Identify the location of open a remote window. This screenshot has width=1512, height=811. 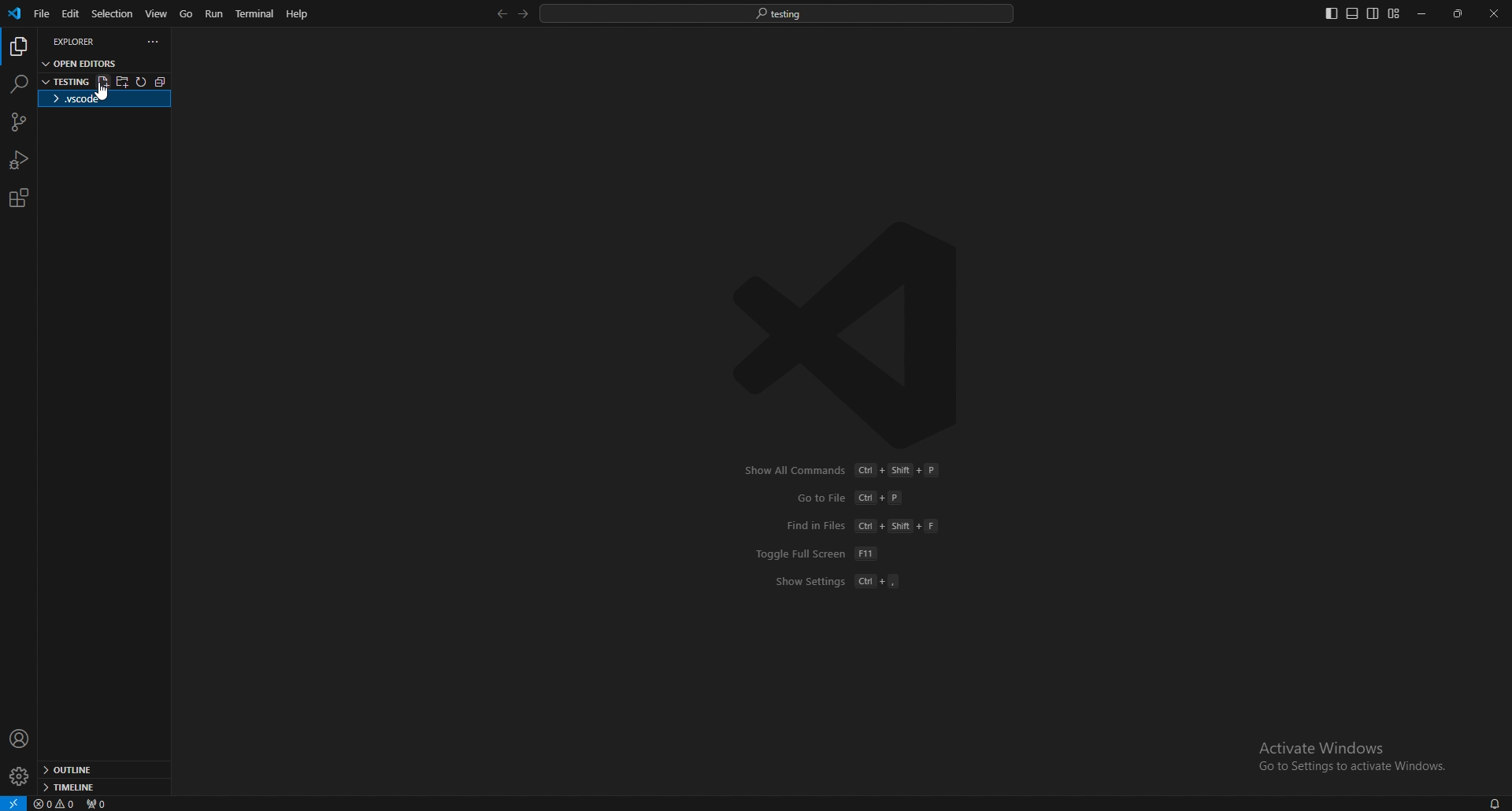
(13, 802).